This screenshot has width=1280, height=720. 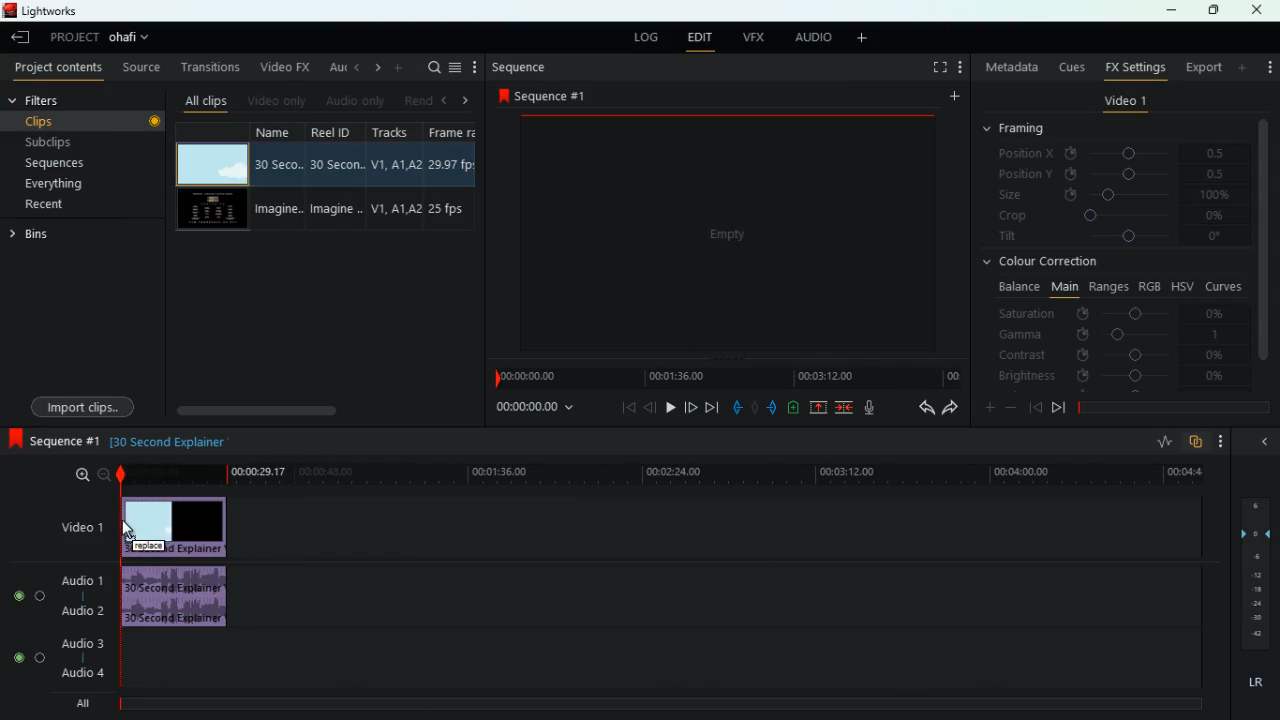 What do you see at coordinates (175, 441) in the screenshot?
I see `explanation` at bounding box center [175, 441].